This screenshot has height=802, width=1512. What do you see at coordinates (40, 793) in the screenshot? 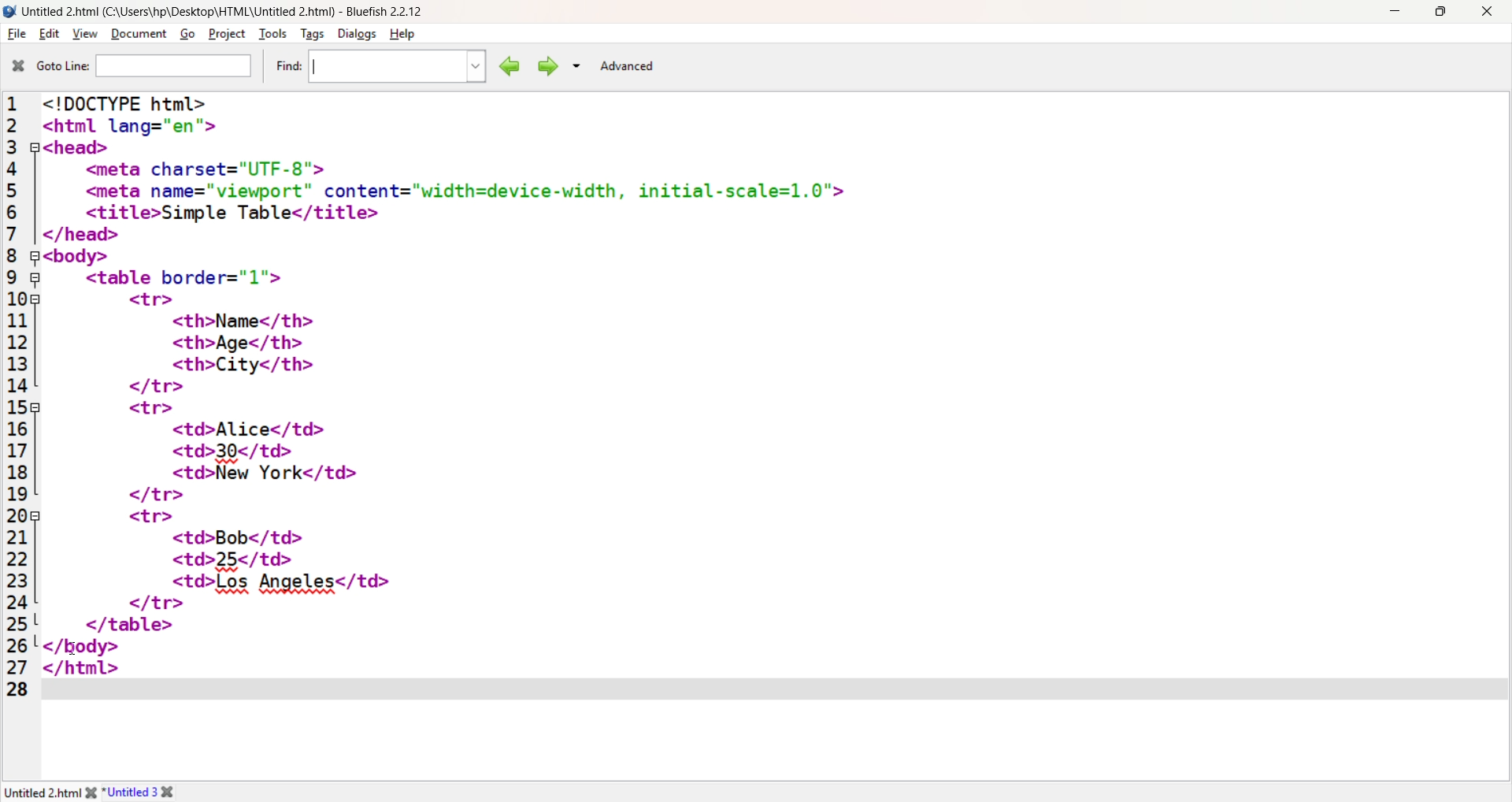
I see `Untitled 2.htm` at bounding box center [40, 793].